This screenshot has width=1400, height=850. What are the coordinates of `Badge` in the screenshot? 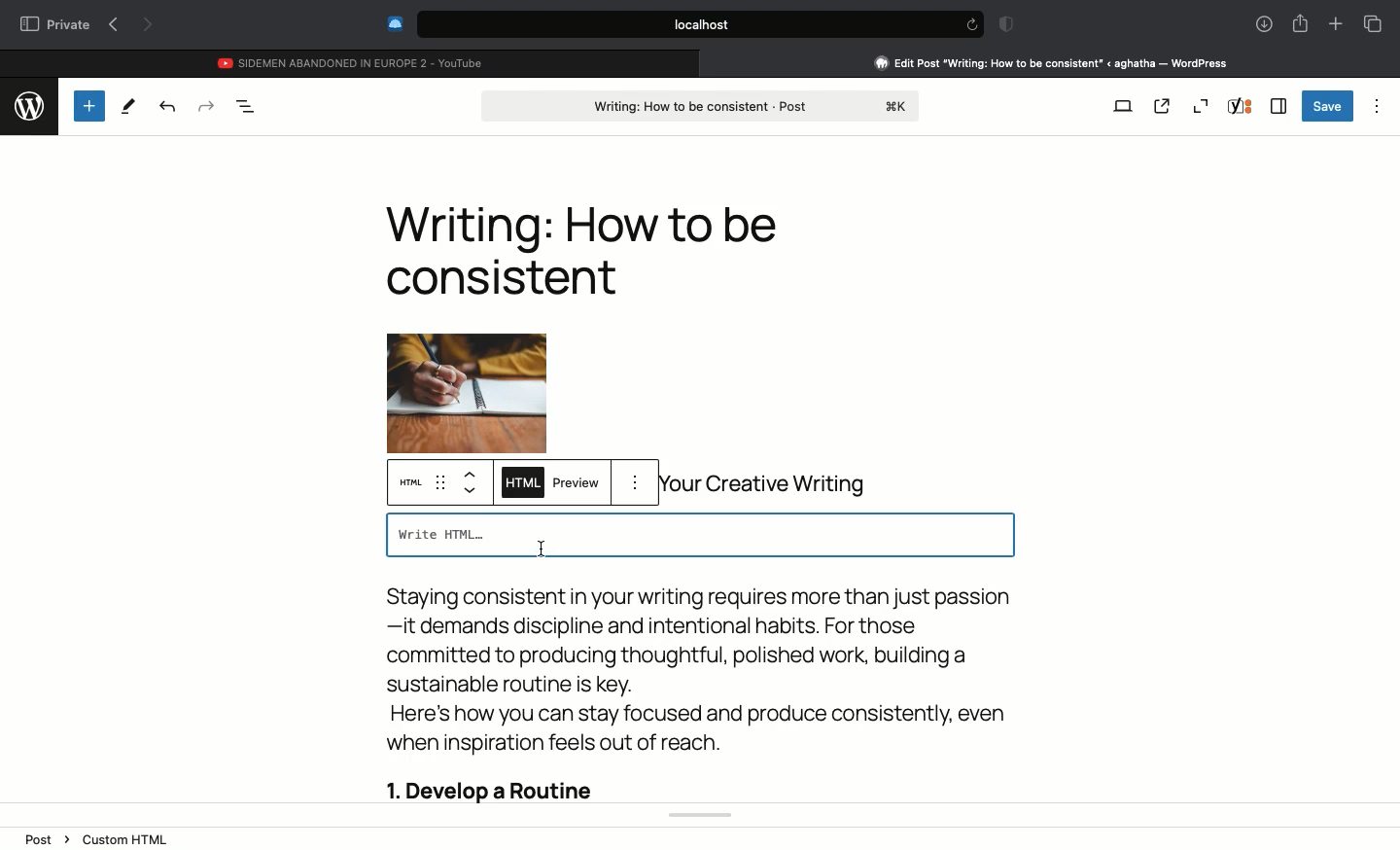 It's located at (1003, 25).